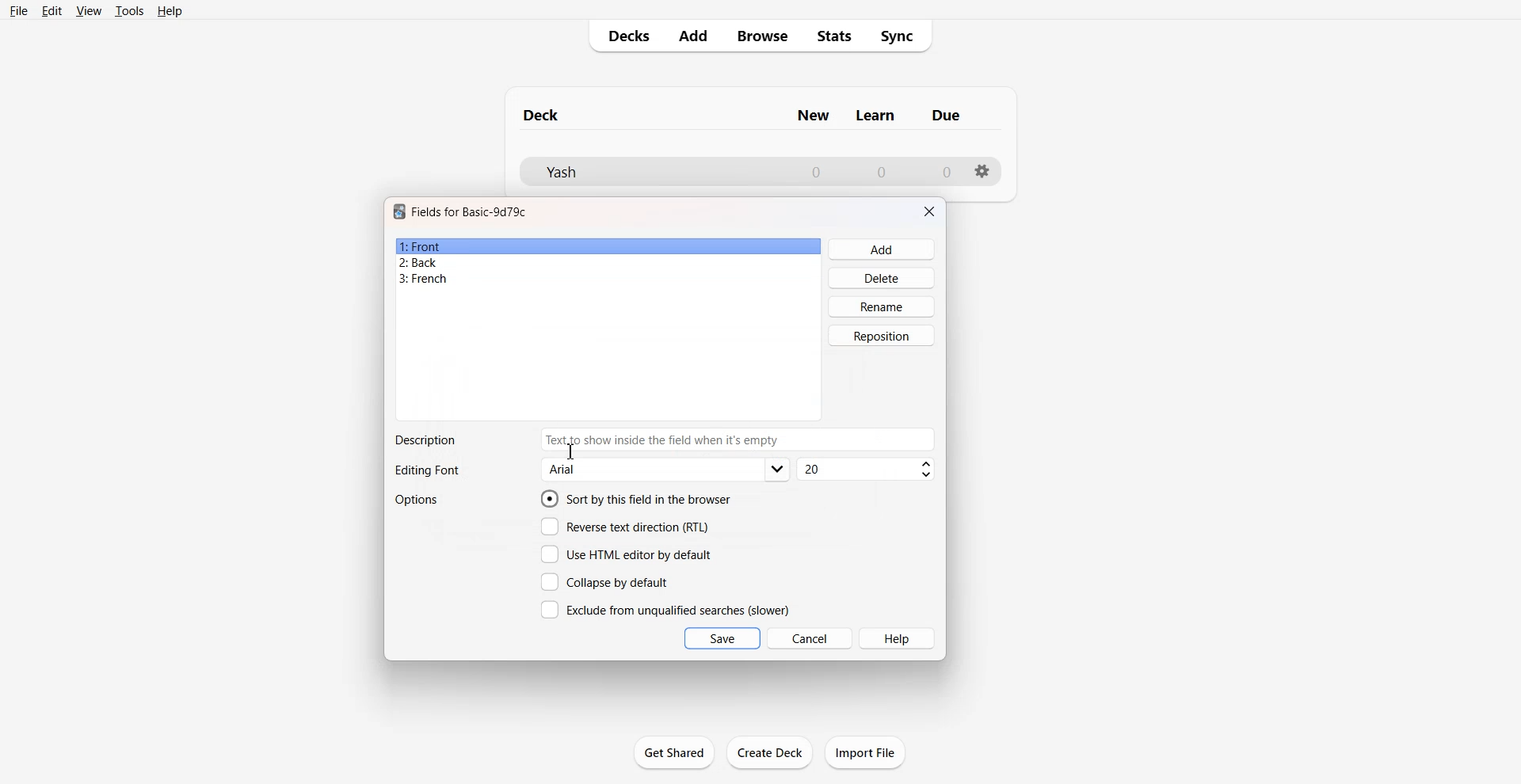 This screenshot has width=1521, height=784. Describe the element at coordinates (929, 211) in the screenshot. I see `Close` at that location.